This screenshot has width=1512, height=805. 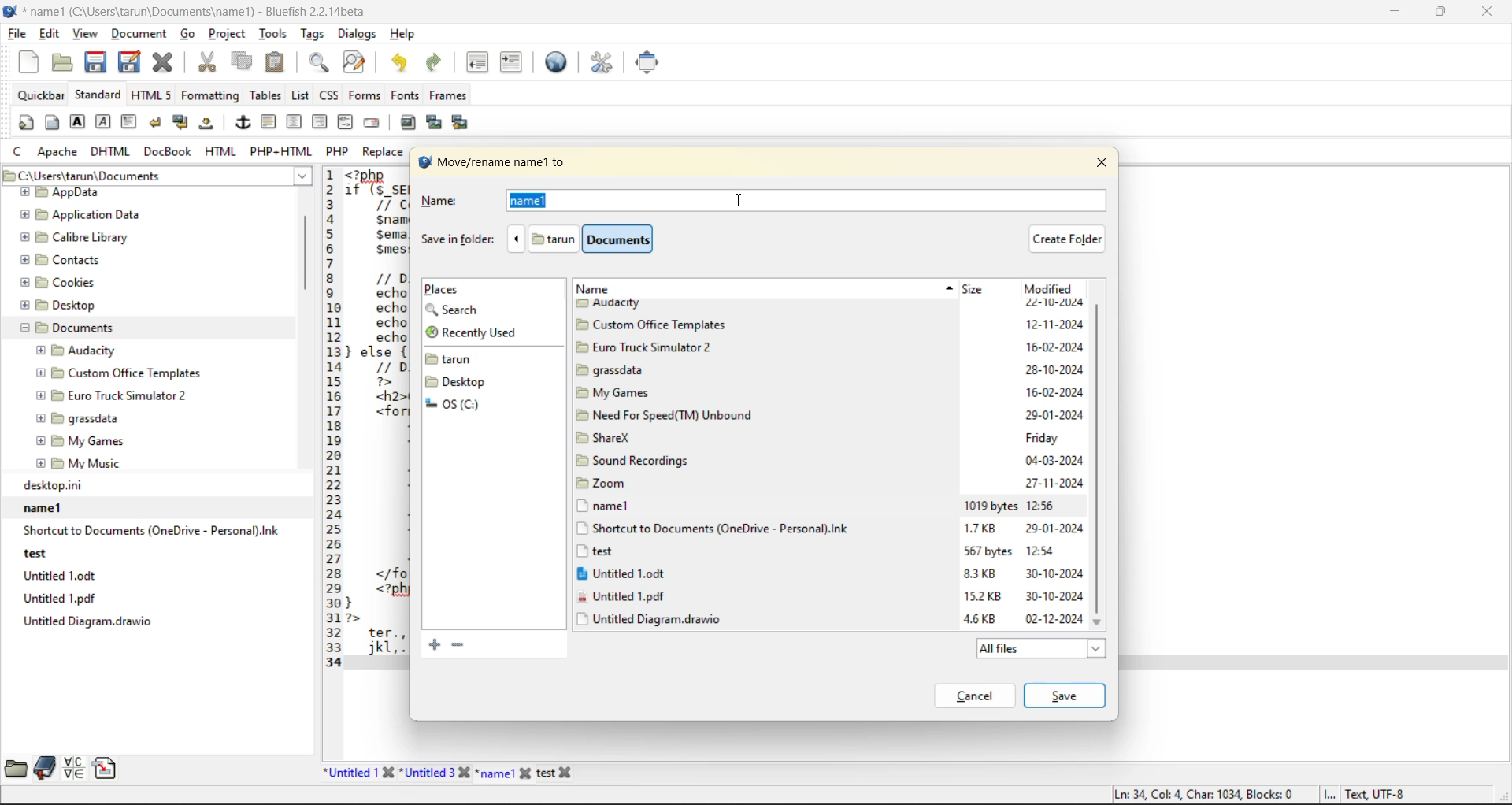 What do you see at coordinates (497, 163) in the screenshot?
I see `move/rename` at bounding box center [497, 163].